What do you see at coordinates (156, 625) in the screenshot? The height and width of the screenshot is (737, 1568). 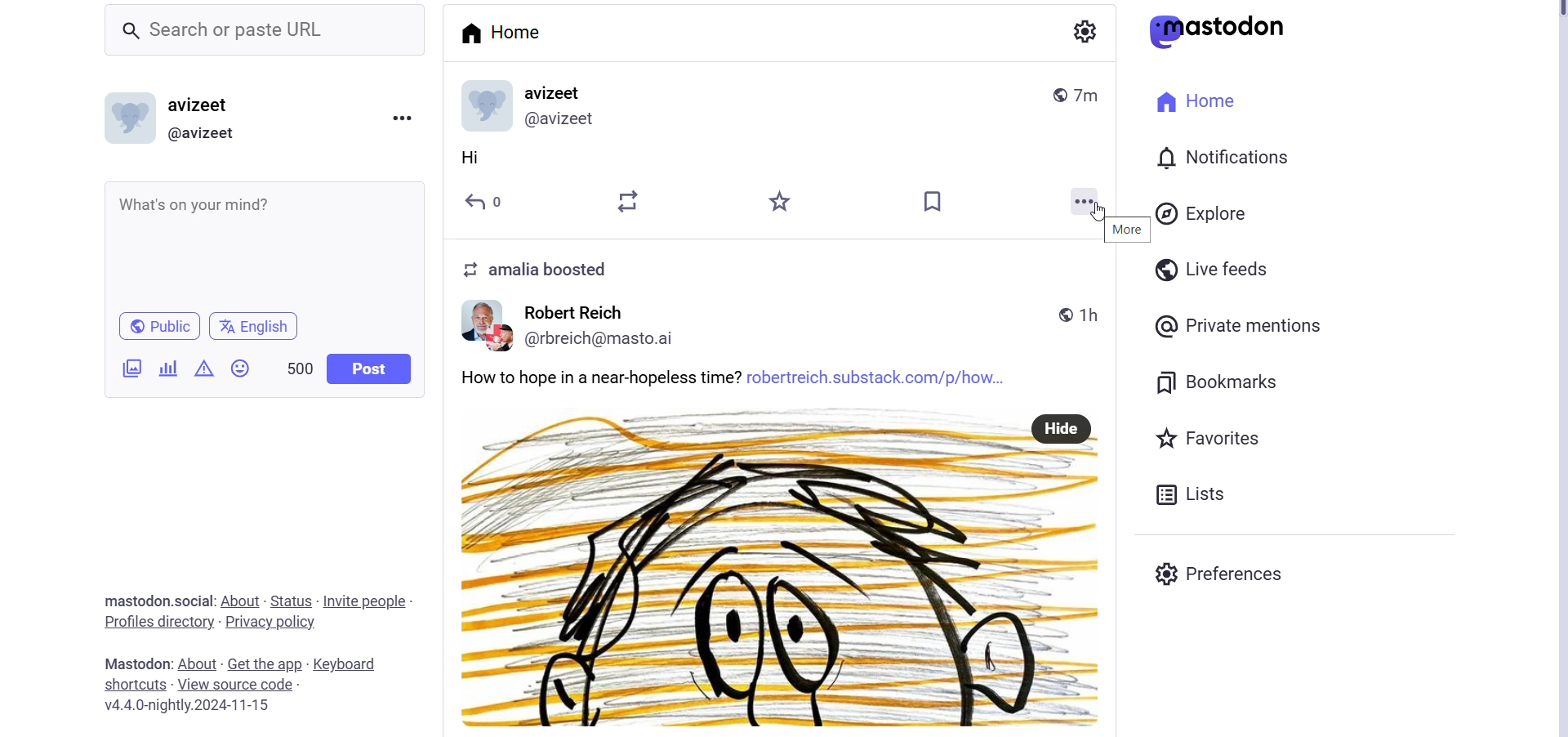 I see `Profiles directories` at bounding box center [156, 625].